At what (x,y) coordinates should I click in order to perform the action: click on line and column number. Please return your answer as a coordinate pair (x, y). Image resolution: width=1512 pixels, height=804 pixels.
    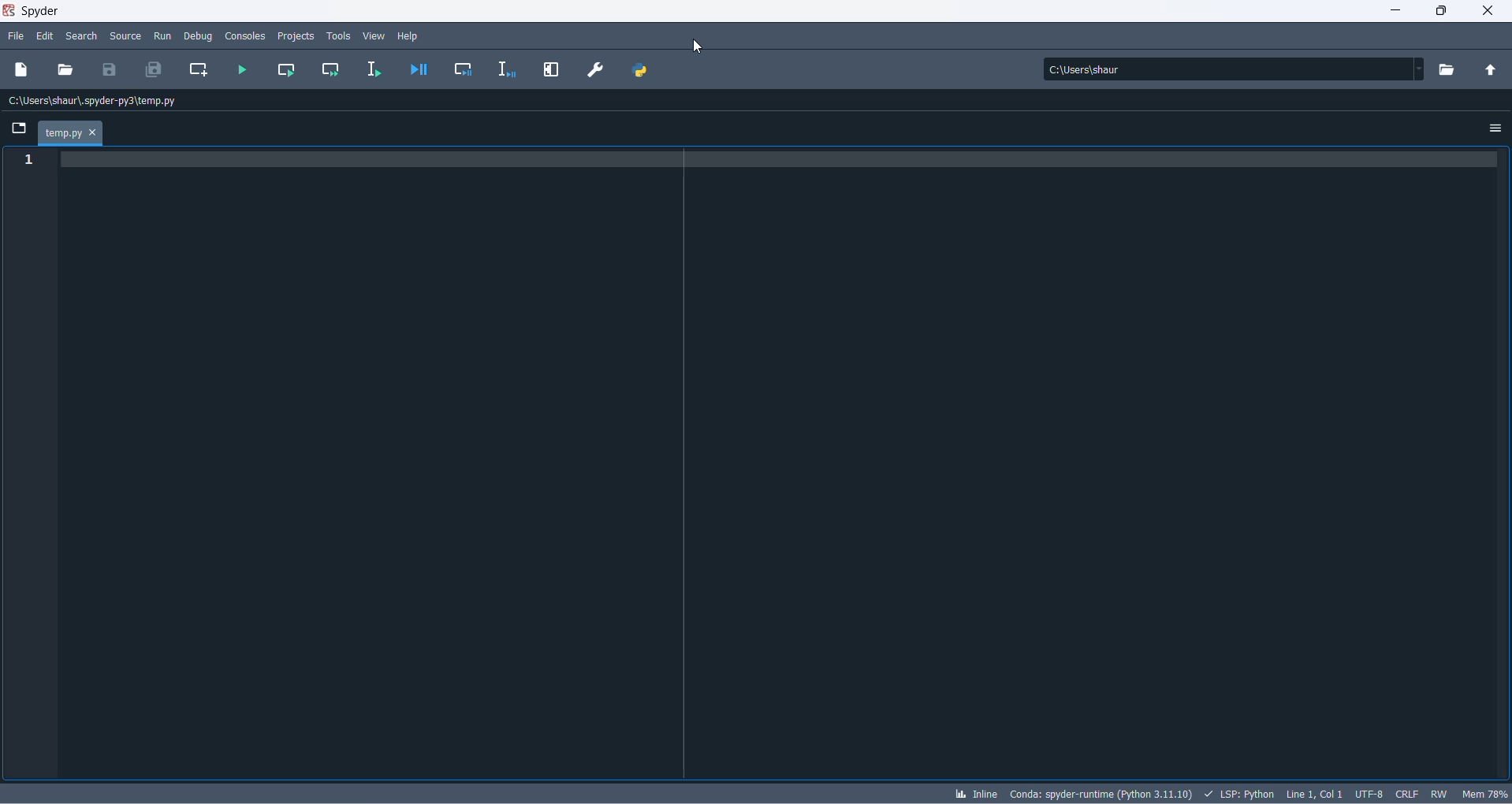
    Looking at the image, I should click on (1315, 791).